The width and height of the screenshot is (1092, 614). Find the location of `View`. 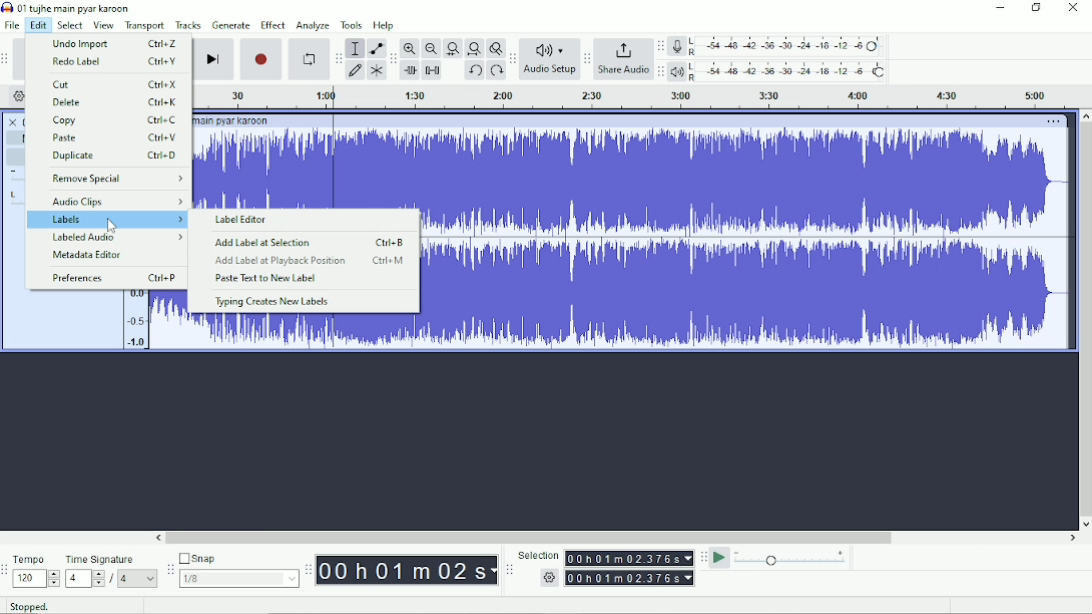

View is located at coordinates (104, 25).